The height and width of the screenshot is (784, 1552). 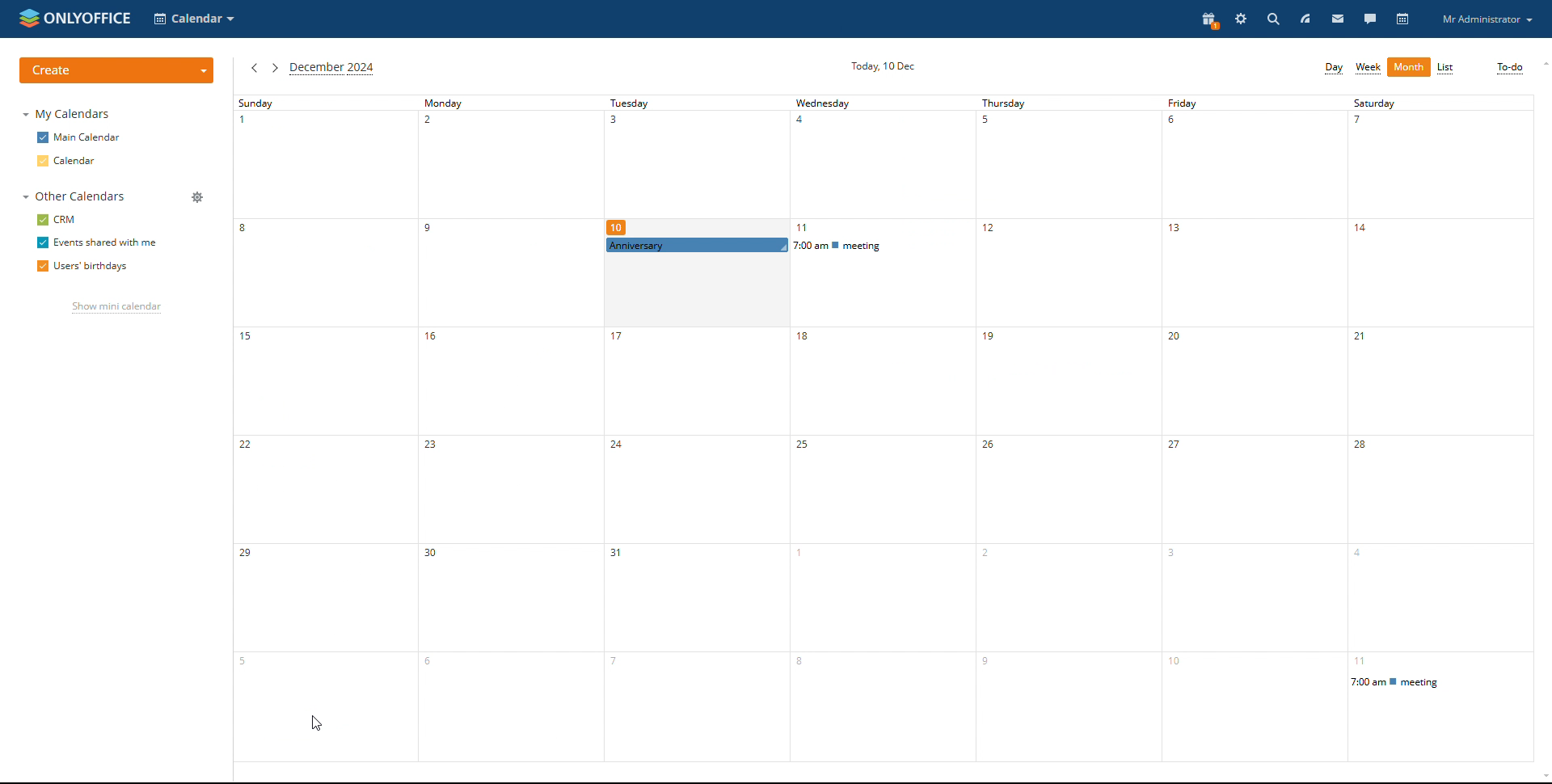 What do you see at coordinates (253, 69) in the screenshot?
I see `previous month` at bounding box center [253, 69].